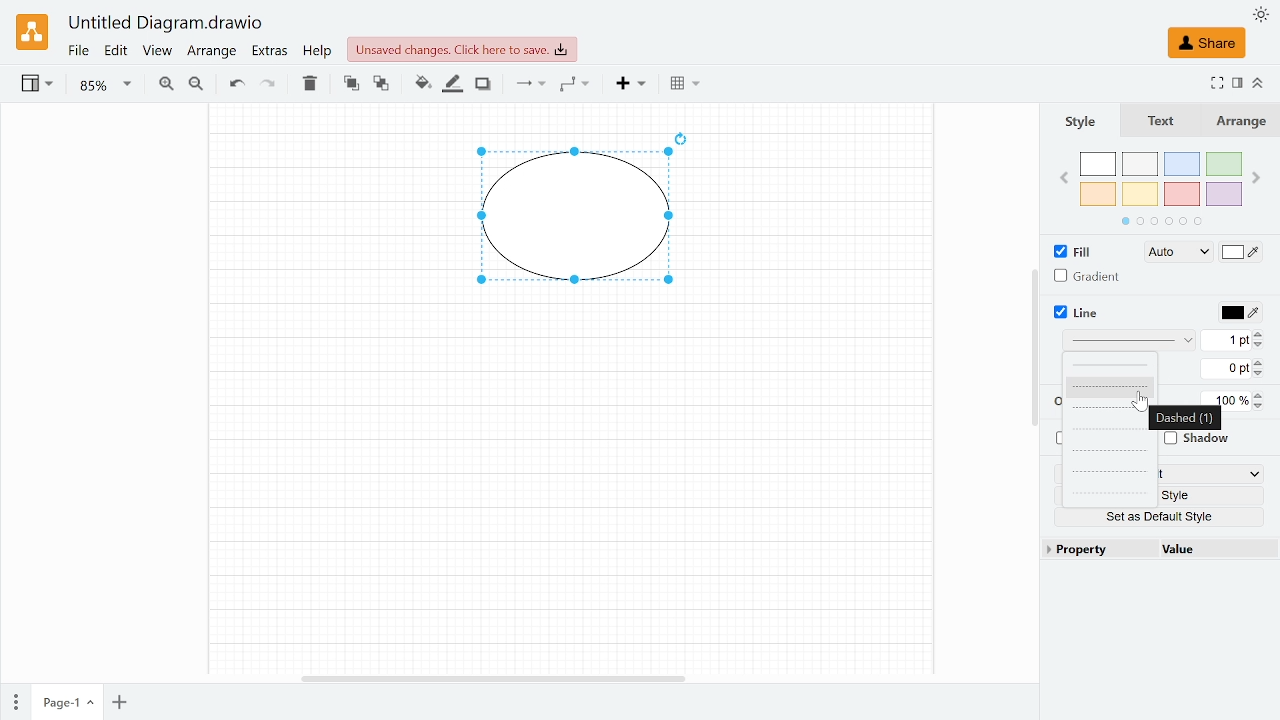 This screenshot has width=1280, height=720. What do you see at coordinates (1139, 404) in the screenshot?
I see `Pointer` at bounding box center [1139, 404].